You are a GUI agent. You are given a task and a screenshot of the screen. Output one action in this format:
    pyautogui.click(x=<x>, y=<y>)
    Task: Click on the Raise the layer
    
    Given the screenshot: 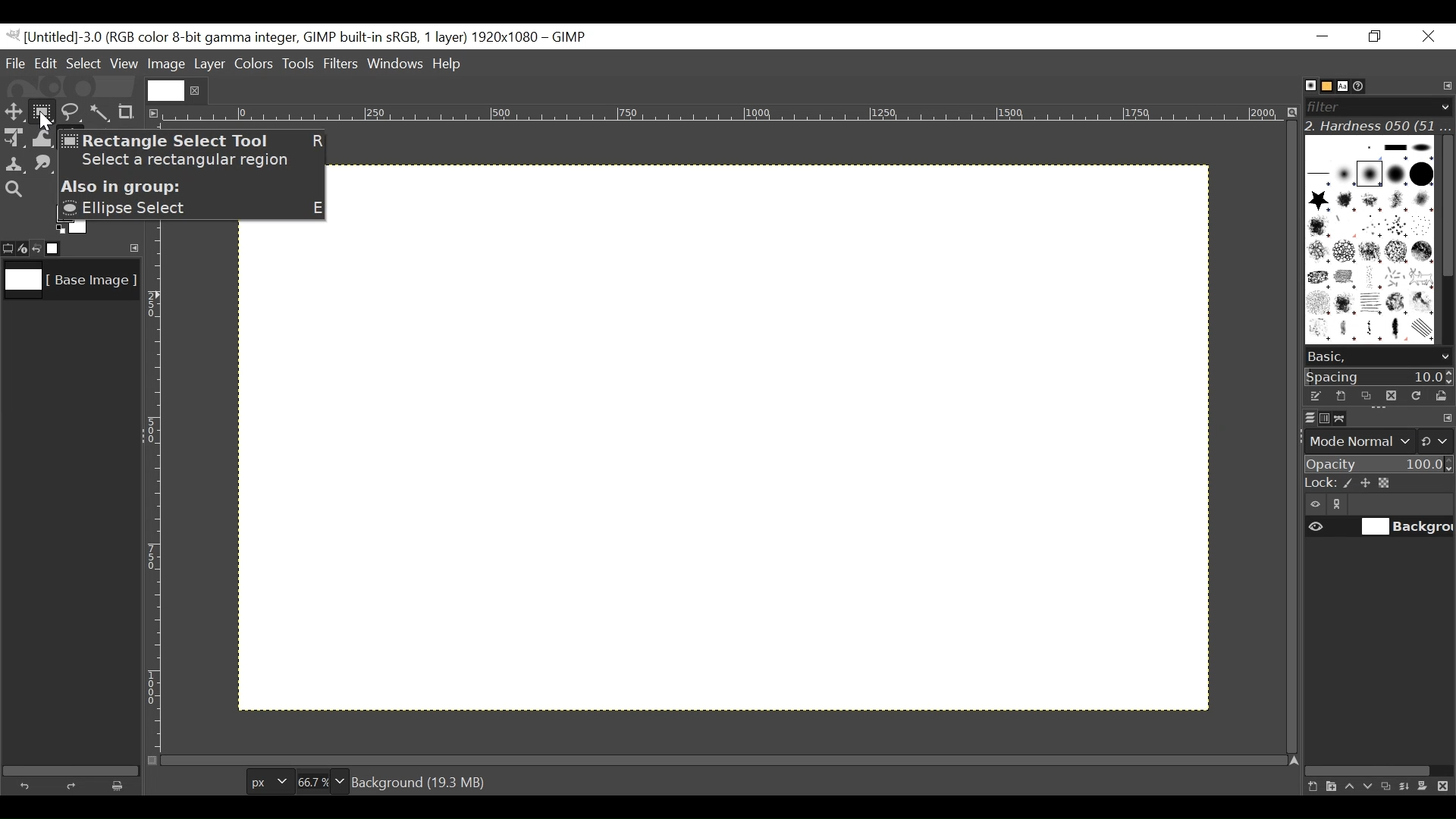 What is the action you would take?
    pyautogui.click(x=1349, y=786)
    